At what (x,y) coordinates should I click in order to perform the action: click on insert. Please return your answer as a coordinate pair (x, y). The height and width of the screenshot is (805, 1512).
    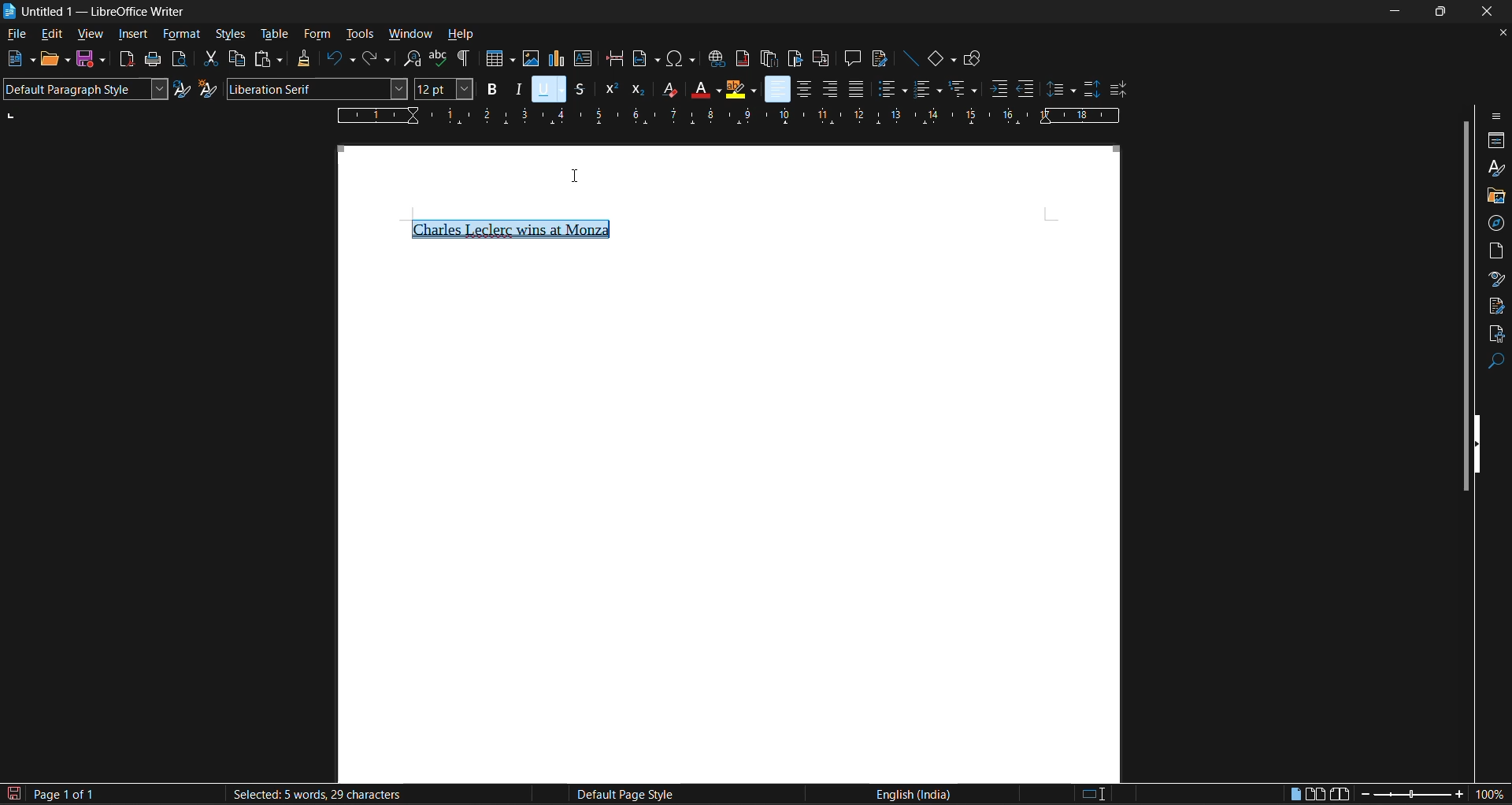
    Looking at the image, I should click on (132, 35).